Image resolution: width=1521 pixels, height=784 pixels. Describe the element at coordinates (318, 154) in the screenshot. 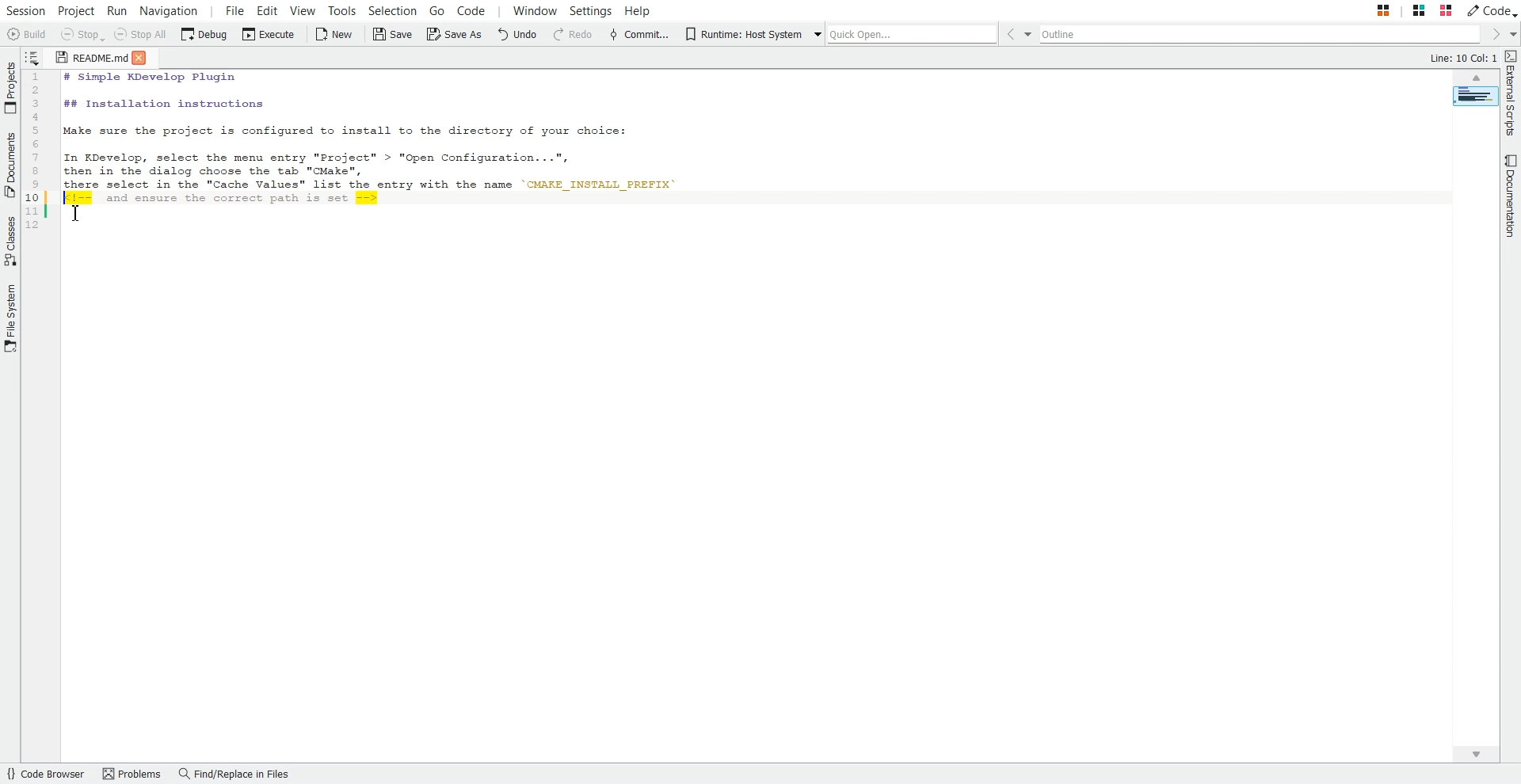

I see `In KDevelop, select the menu entry "Project" > "Open Configuation . ..",` at that location.